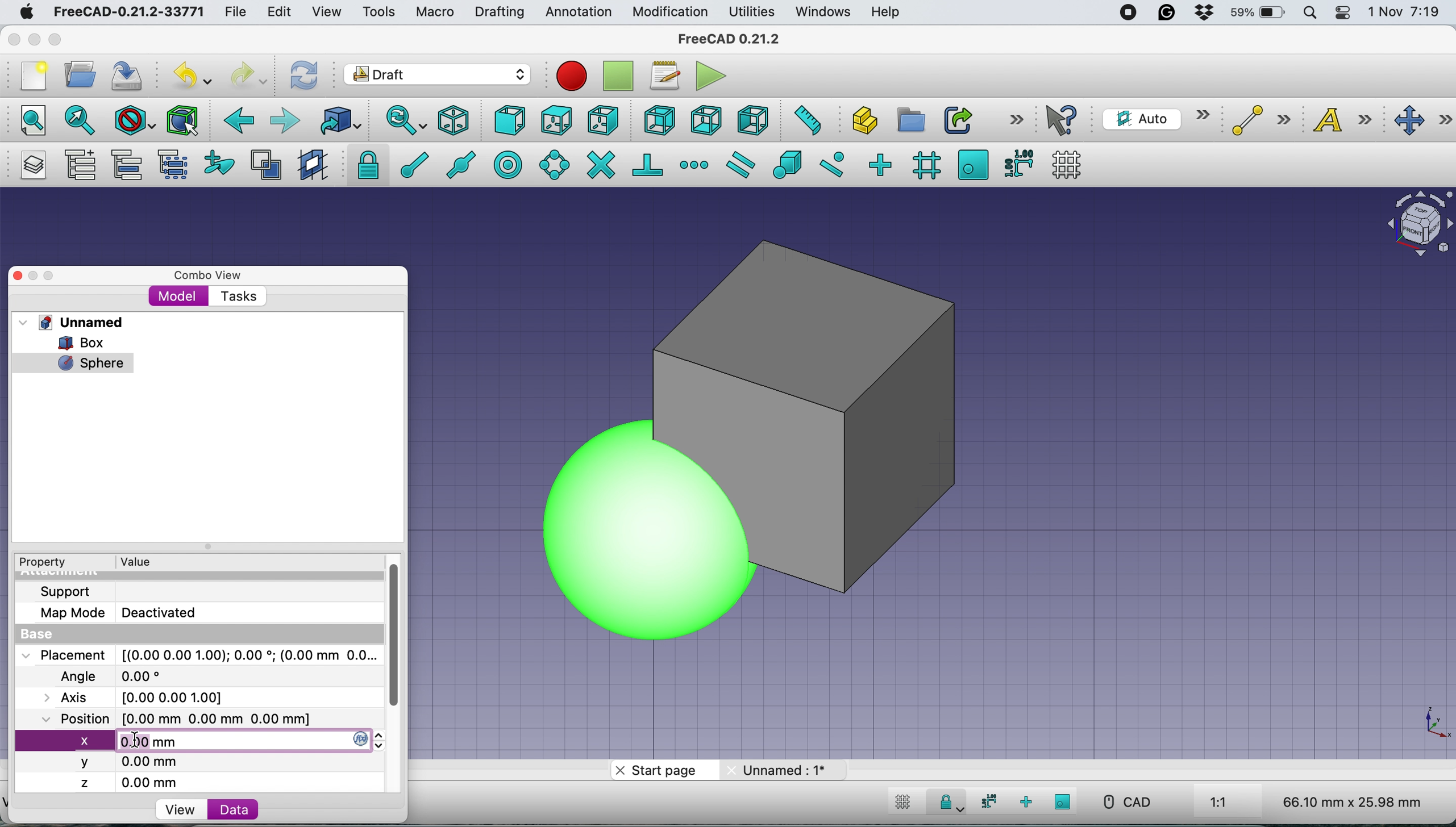 The width and height of the screenshot is (1456, 827). I want to click on xy coordinate, so click(1424, 724).